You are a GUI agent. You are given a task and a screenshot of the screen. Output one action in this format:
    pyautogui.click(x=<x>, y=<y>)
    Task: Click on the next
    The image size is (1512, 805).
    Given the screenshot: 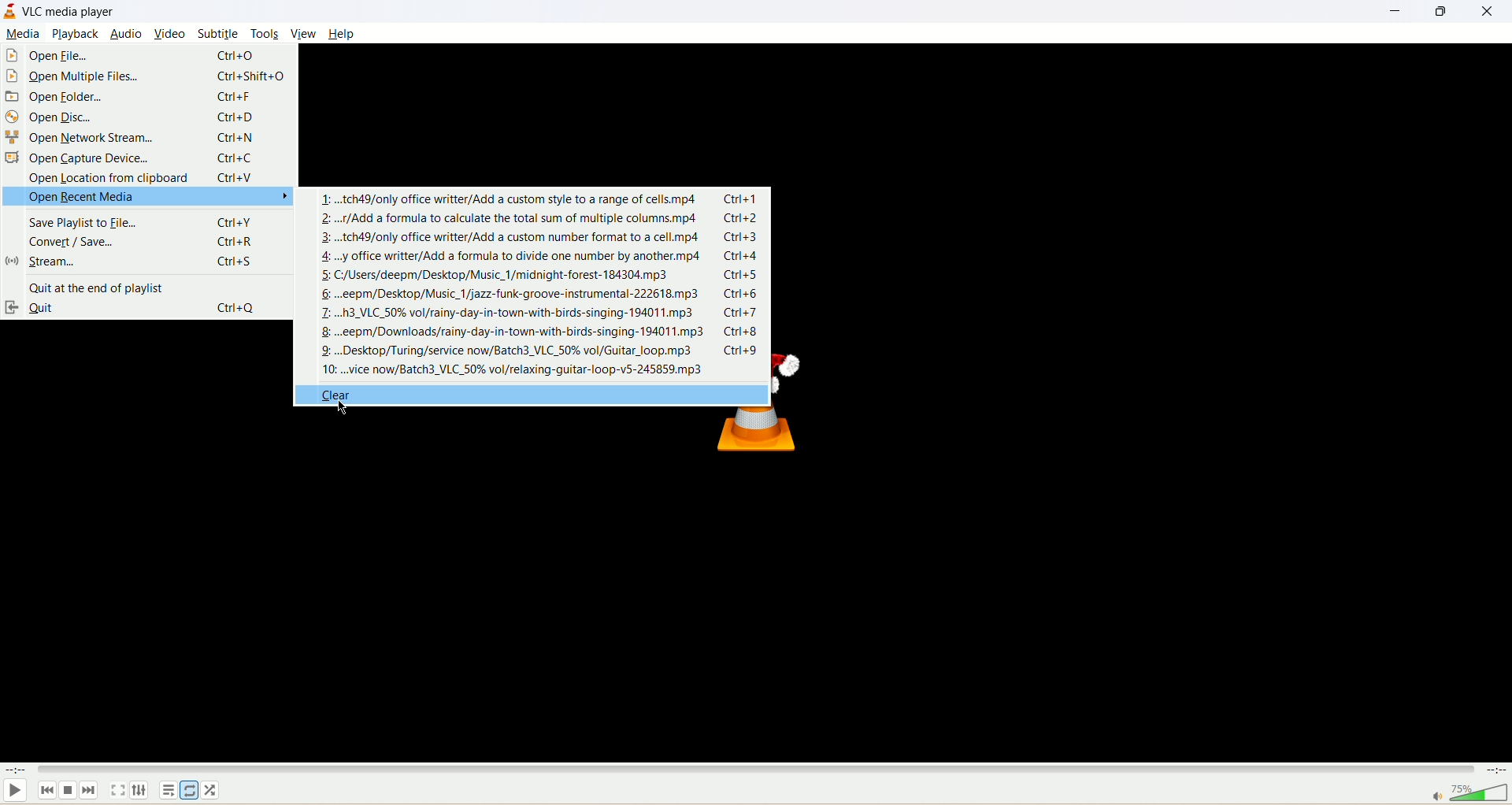 What is the action you would take?
    pyautogui.click(x=91, y=792)
    